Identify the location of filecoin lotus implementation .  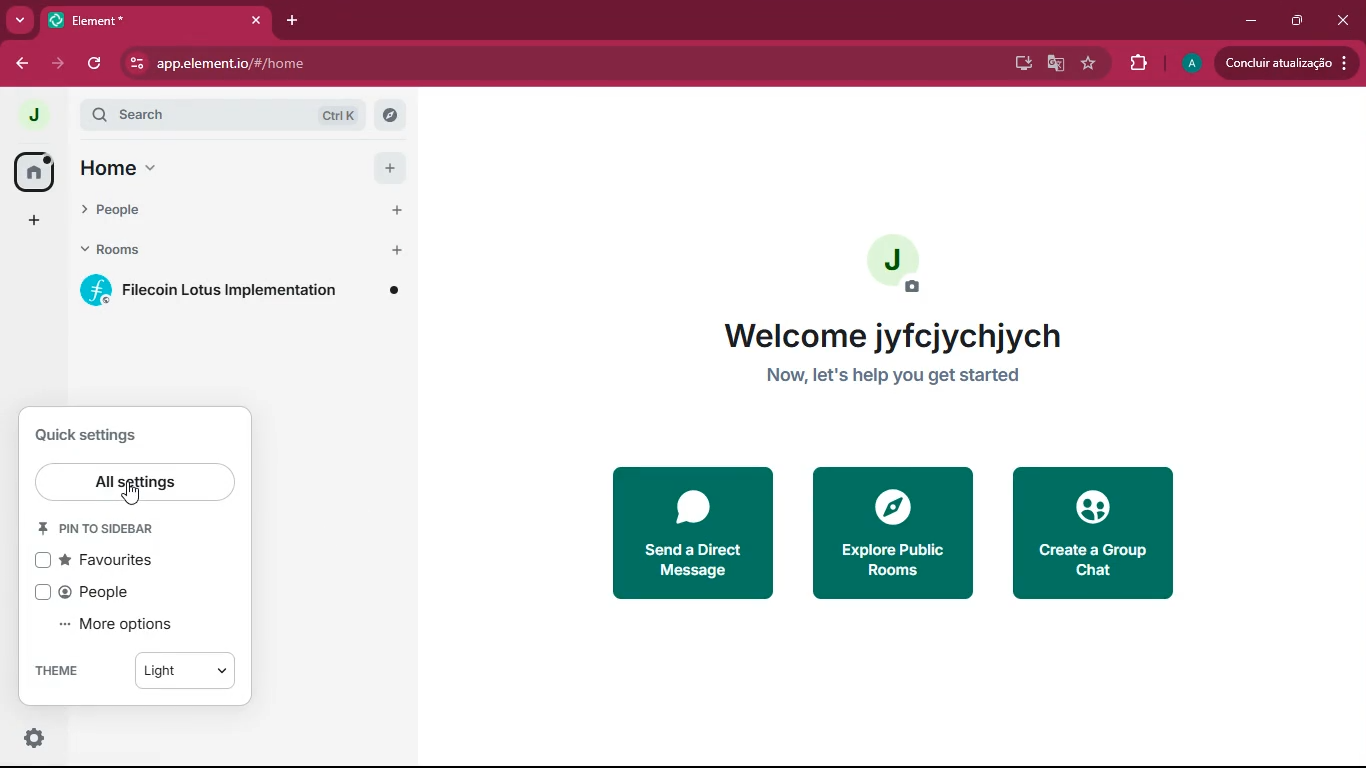
(245, 293).